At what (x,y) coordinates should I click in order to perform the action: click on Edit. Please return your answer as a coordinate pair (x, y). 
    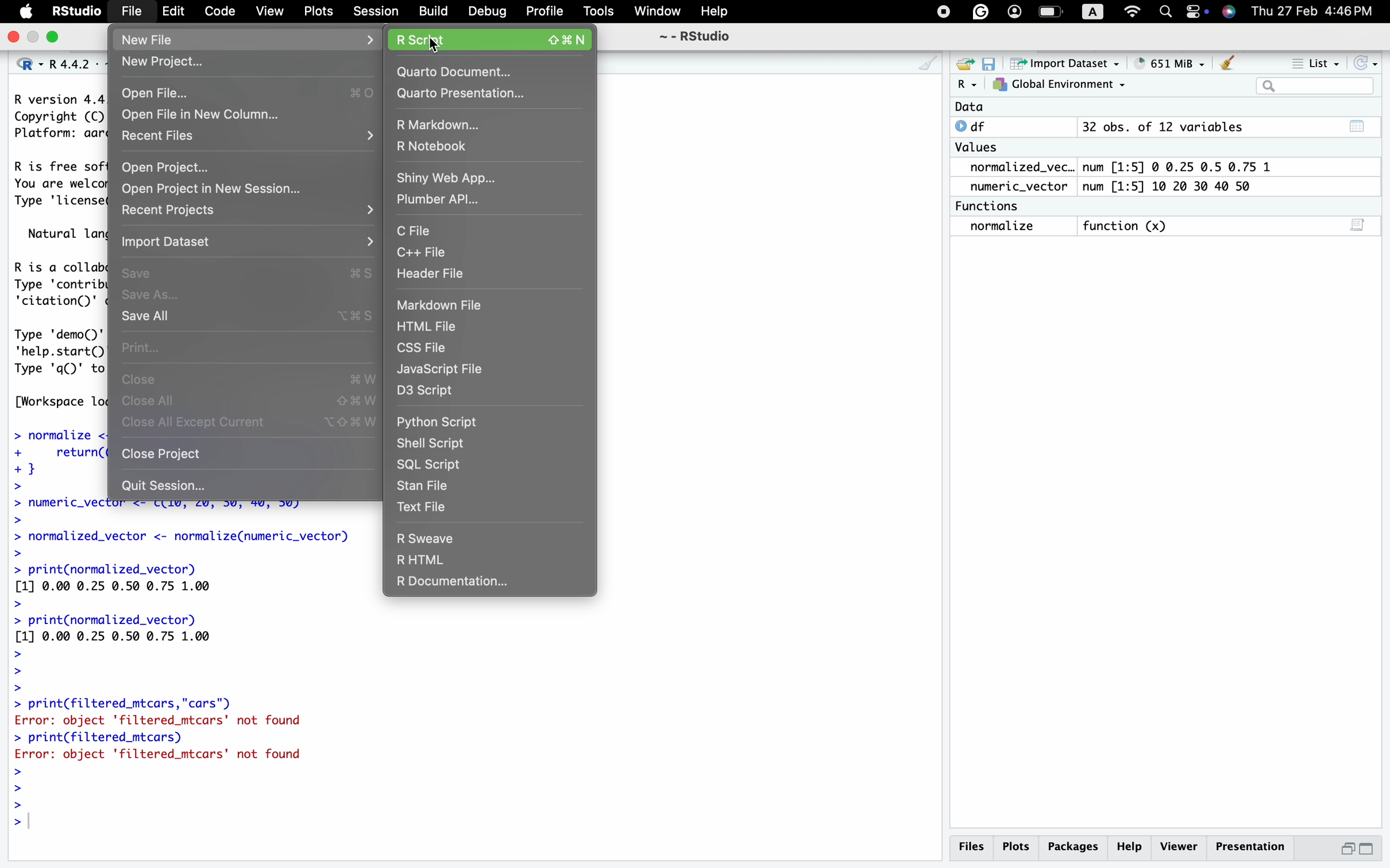
    Looking at the image, I should click on (170, 13).